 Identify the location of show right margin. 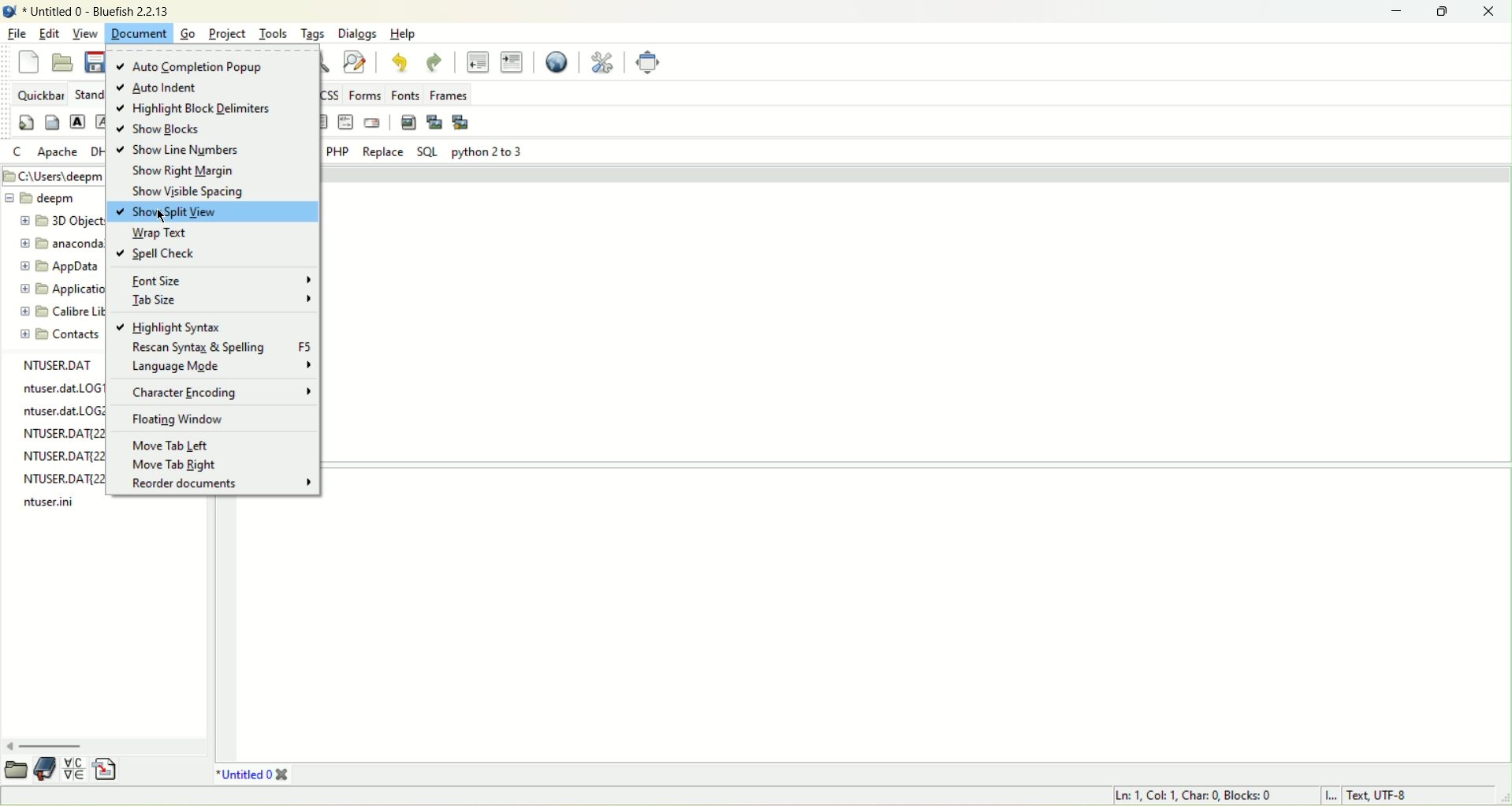
(181, 170).